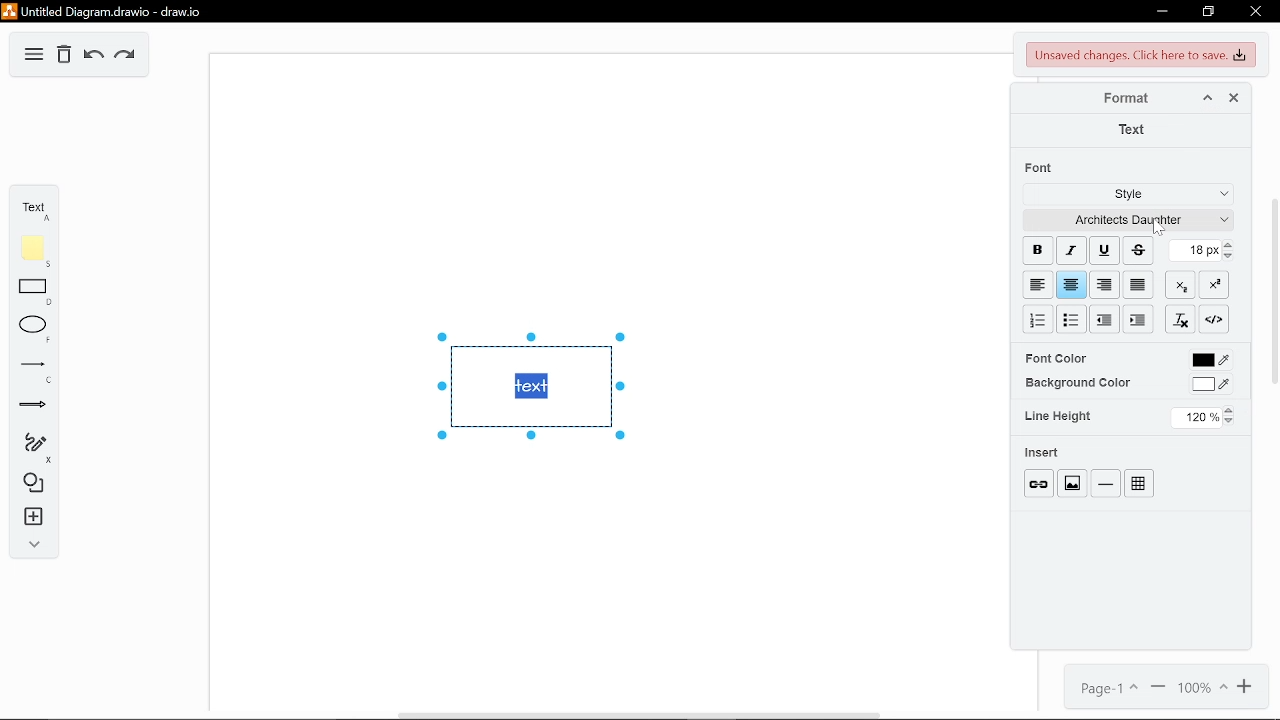 This screenshot has height=720, width=1280. Describe the element at coordinates (64, 55) in the screenshot. I see `delete` at that location.